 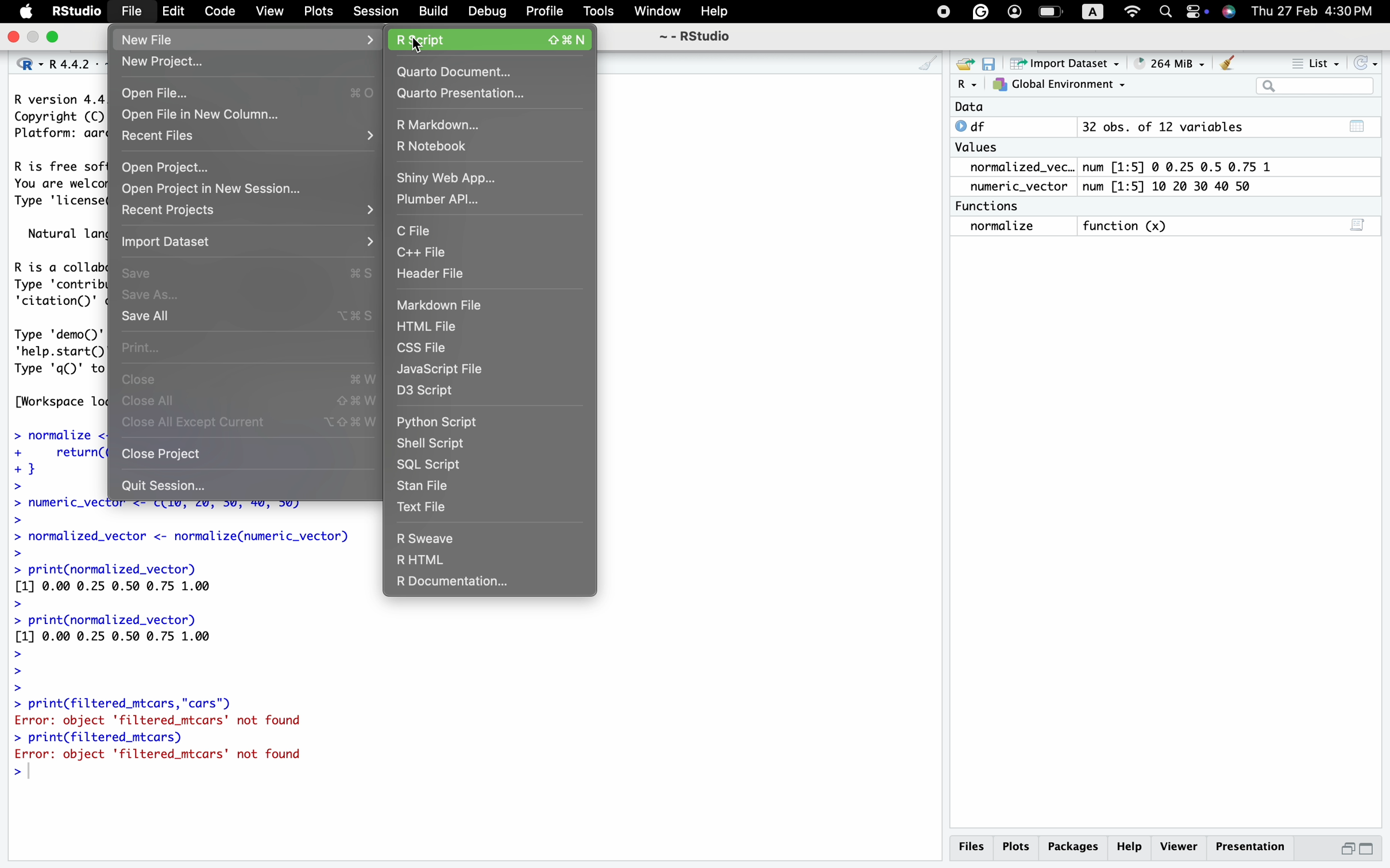 What do you see at coordinates (1016, 187) in the screenshot?
I see `numeric_vector` at bounding box center [1016, 187].